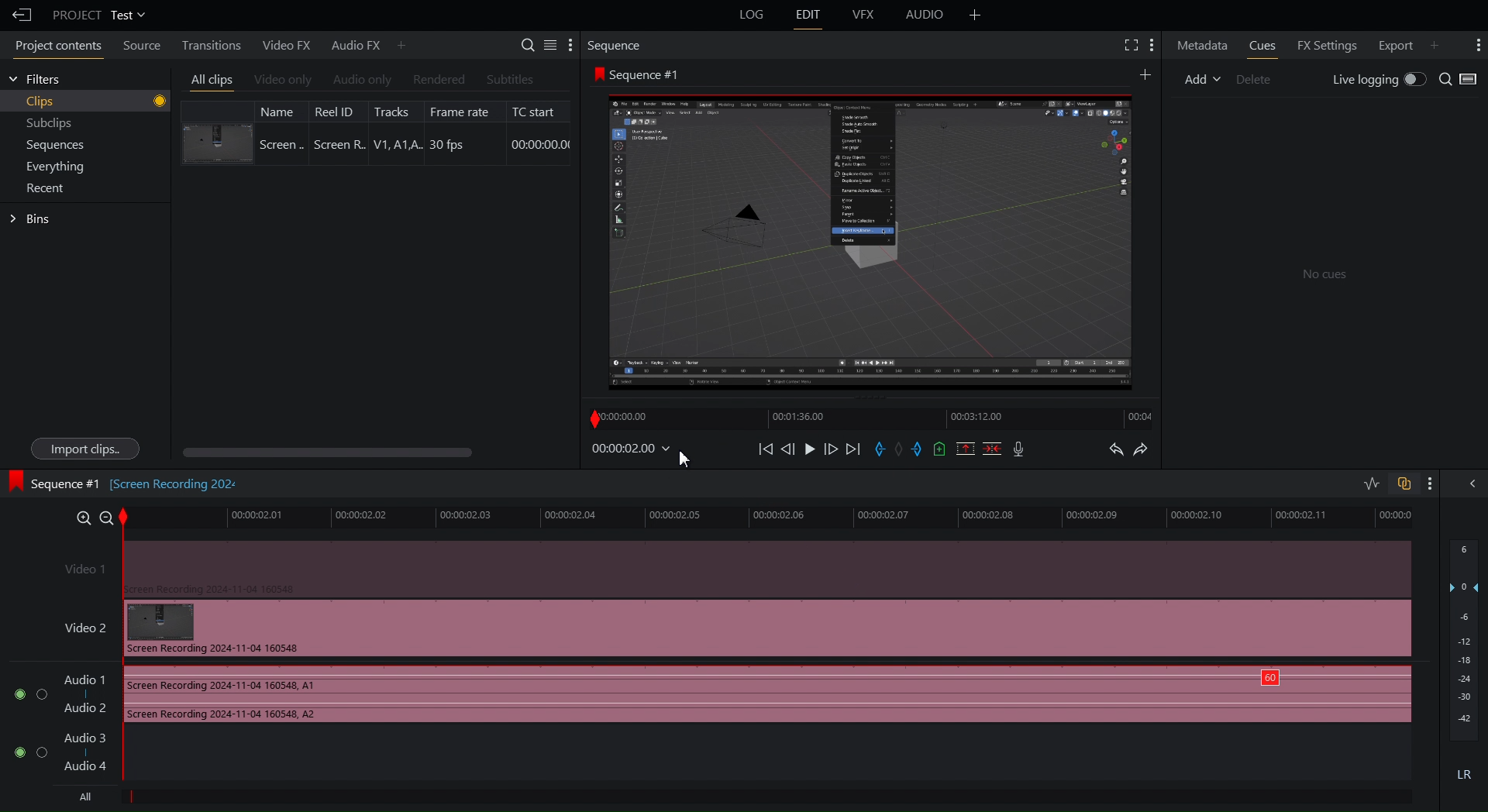 This screenshot has height=812, width=1488. What do you see at coordinates (925, 17) in the screenshot?
I see `Audio` at bounding box center [925, 17].